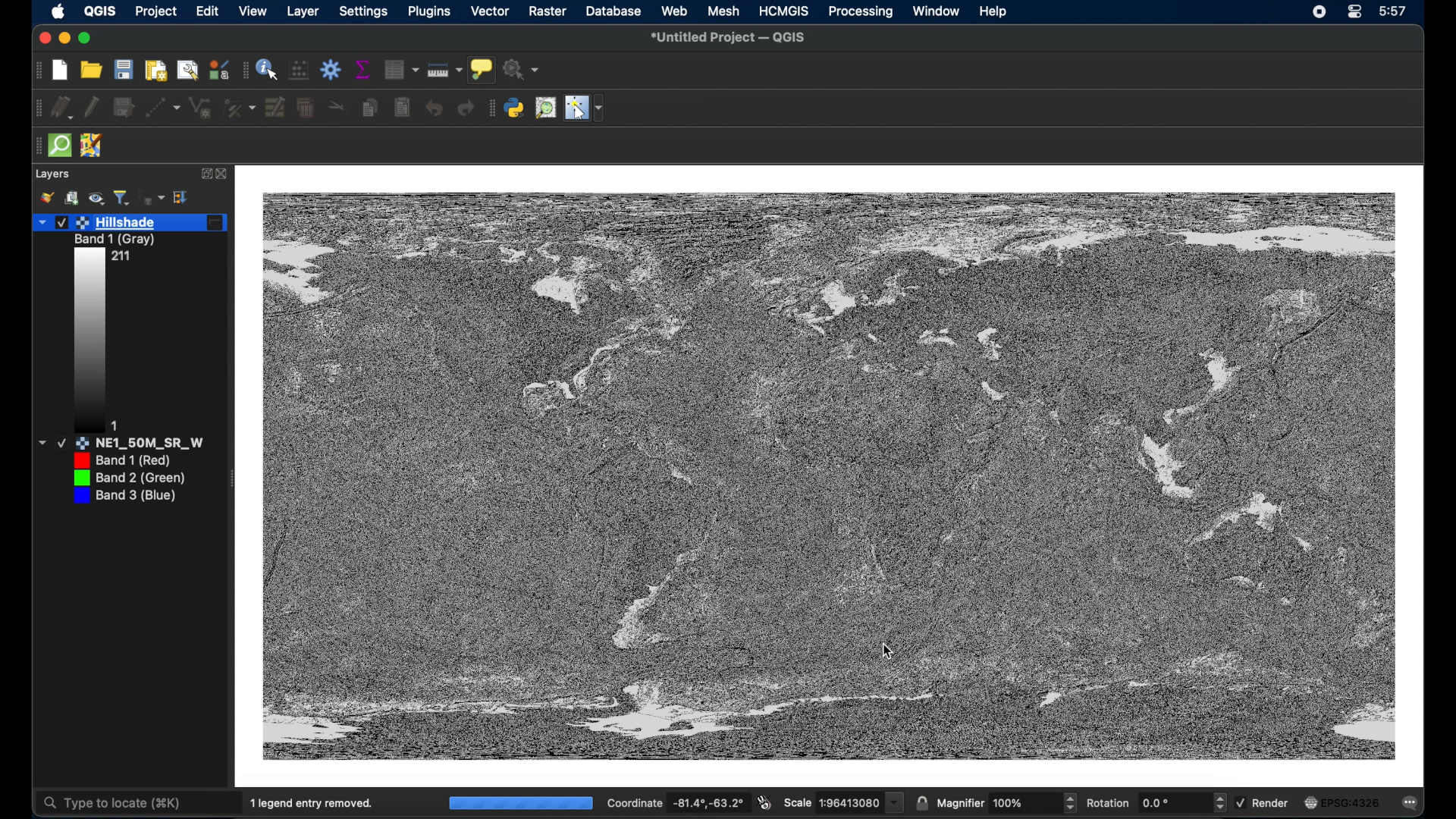 Image resolution: width=1456 pixels, height=819 pixels. I want to click on mesh, so click(723, 11).